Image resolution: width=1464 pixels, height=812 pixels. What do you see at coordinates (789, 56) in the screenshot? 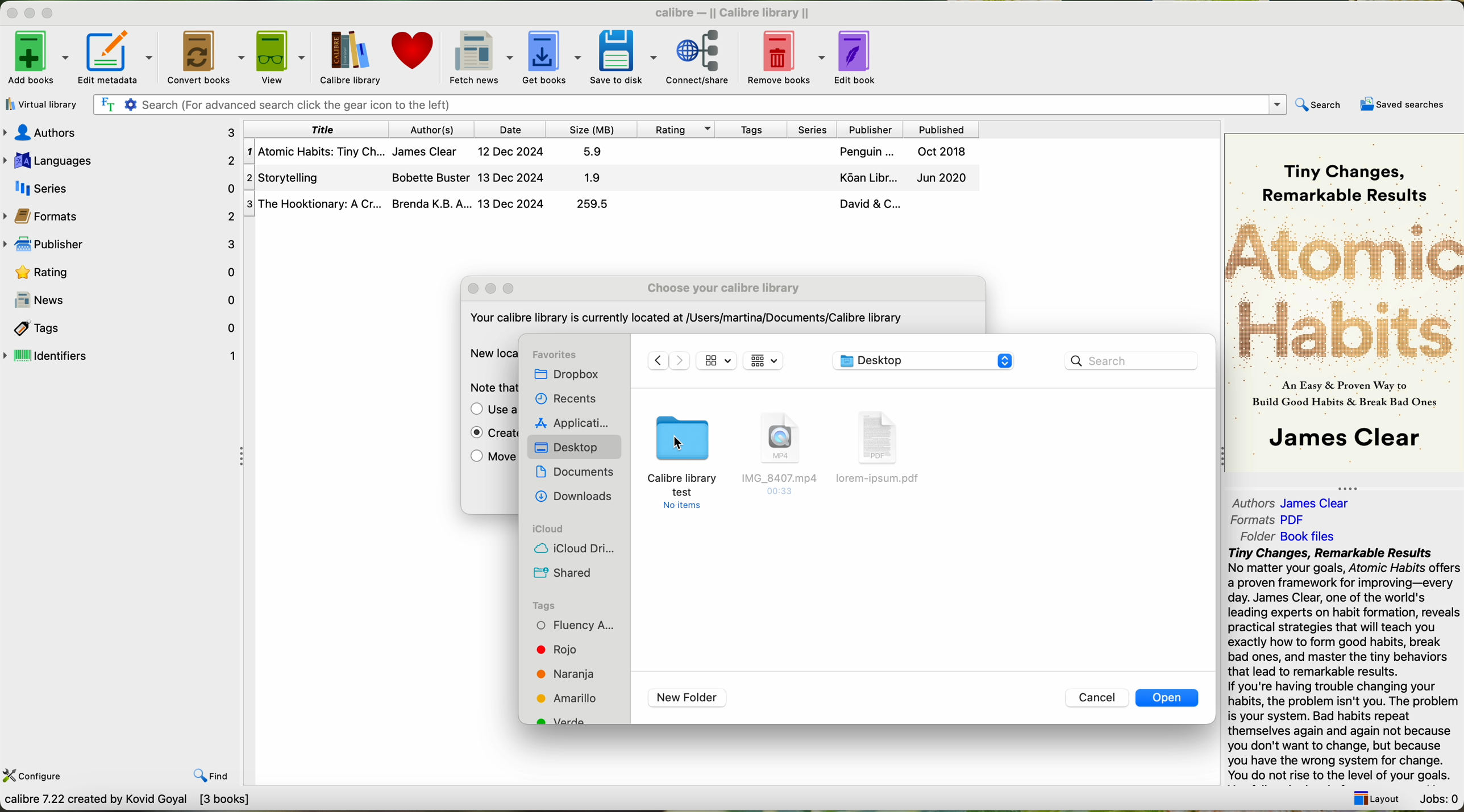
I see `remove books` at bounding box center [789, 56].